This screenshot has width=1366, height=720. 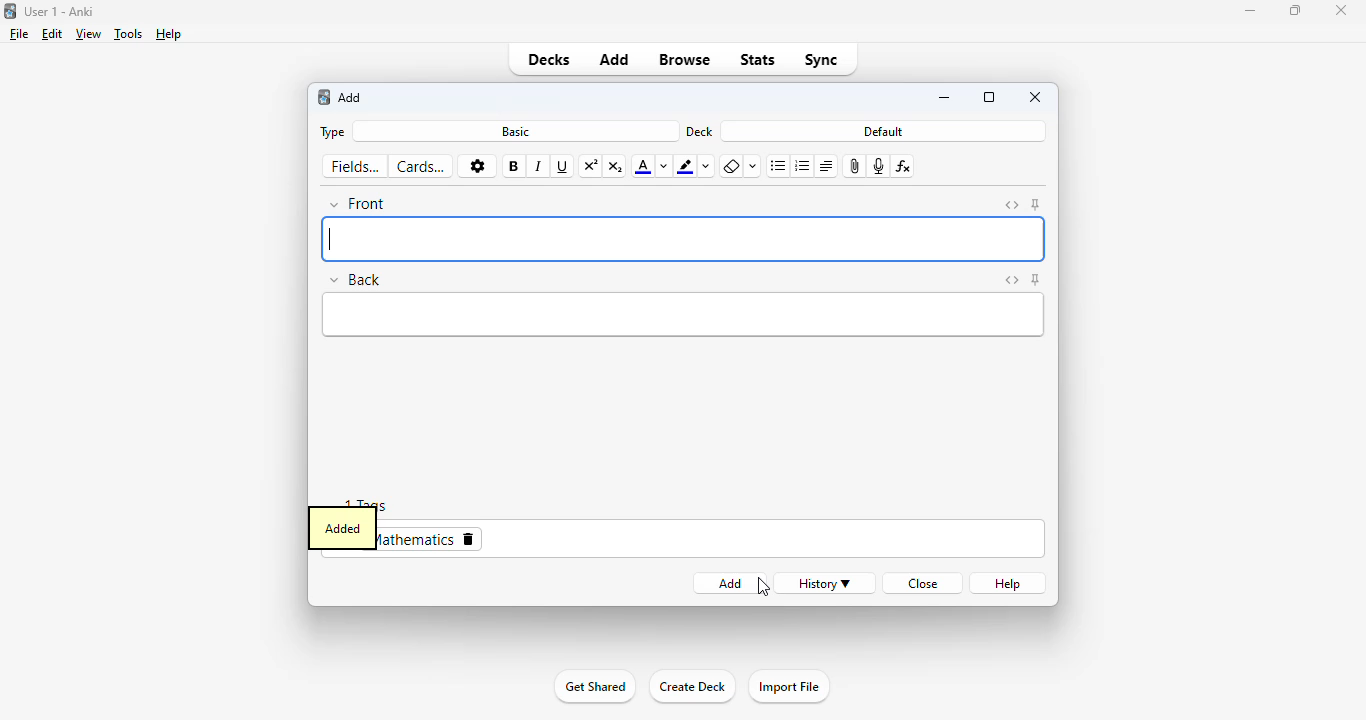 What do you see at coordinates (359, 204) in the screenshot?
I see `front` at bounding box center [359, 204].